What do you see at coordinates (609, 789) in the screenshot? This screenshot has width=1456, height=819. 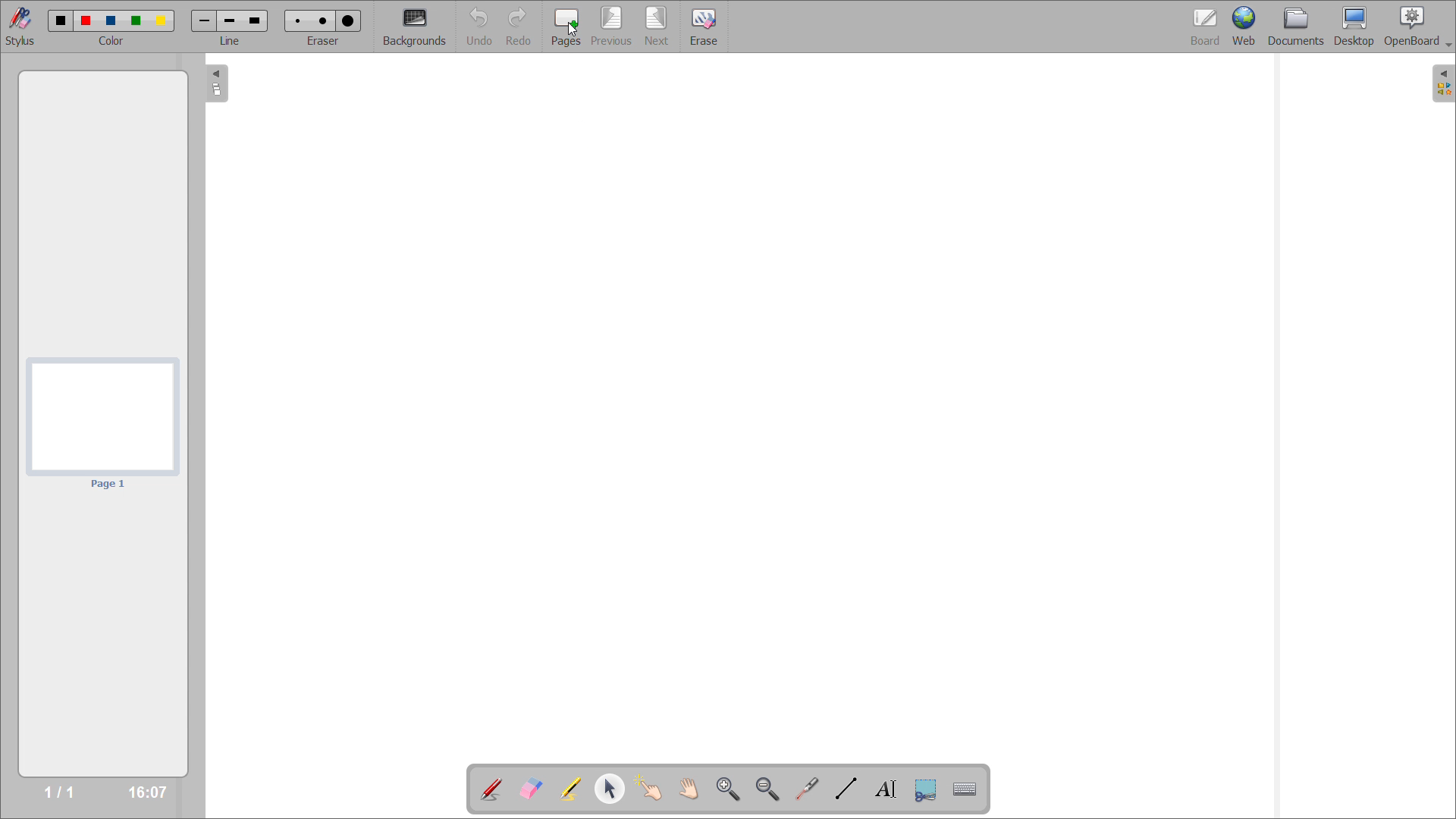 I see `select and modify objects` at bounding box center [609, 789].